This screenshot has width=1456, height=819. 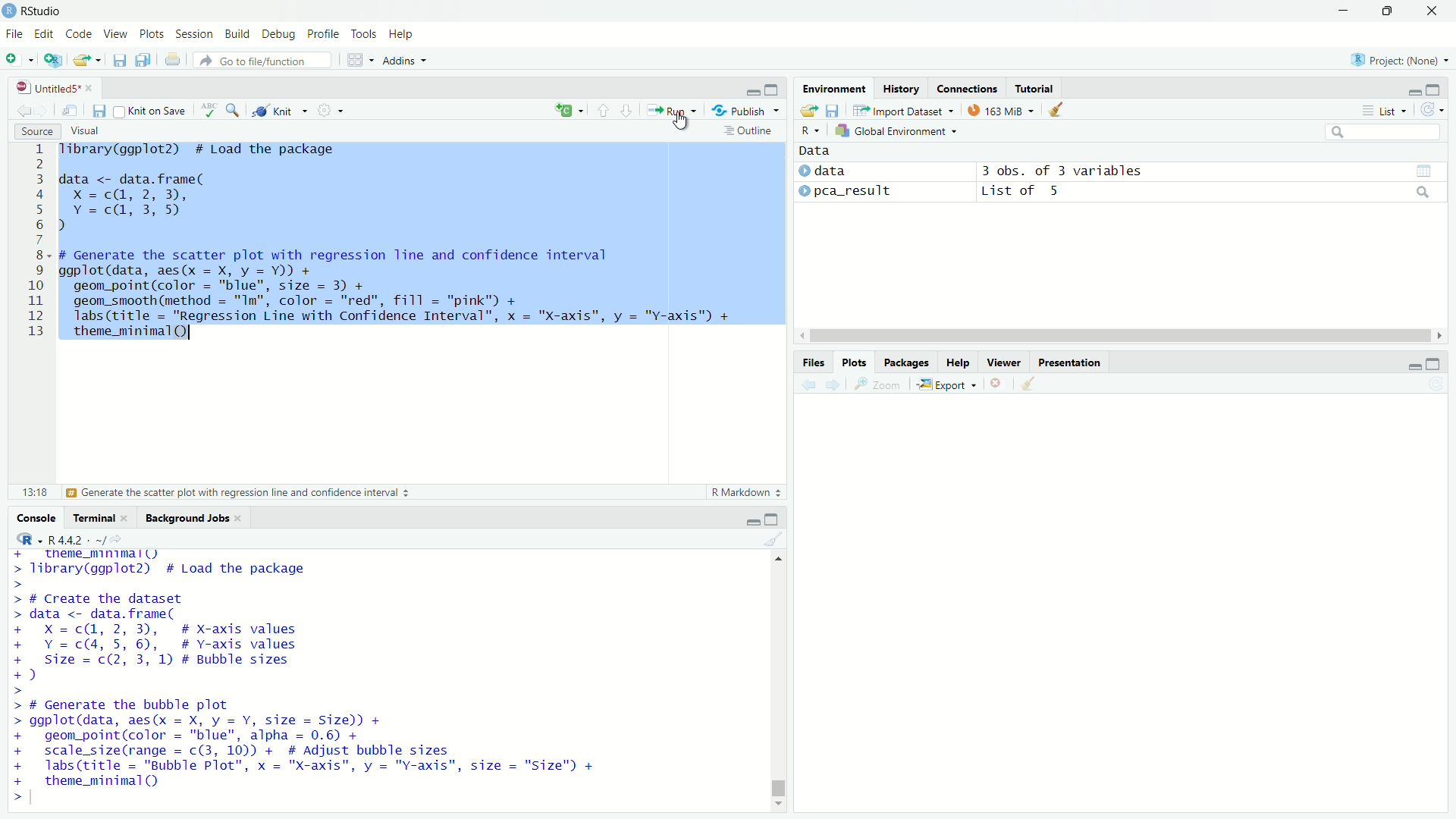 What do you see at coordinates (753, 92) in the screenshot?
I see `minimize` at bounding box center [753, 92].